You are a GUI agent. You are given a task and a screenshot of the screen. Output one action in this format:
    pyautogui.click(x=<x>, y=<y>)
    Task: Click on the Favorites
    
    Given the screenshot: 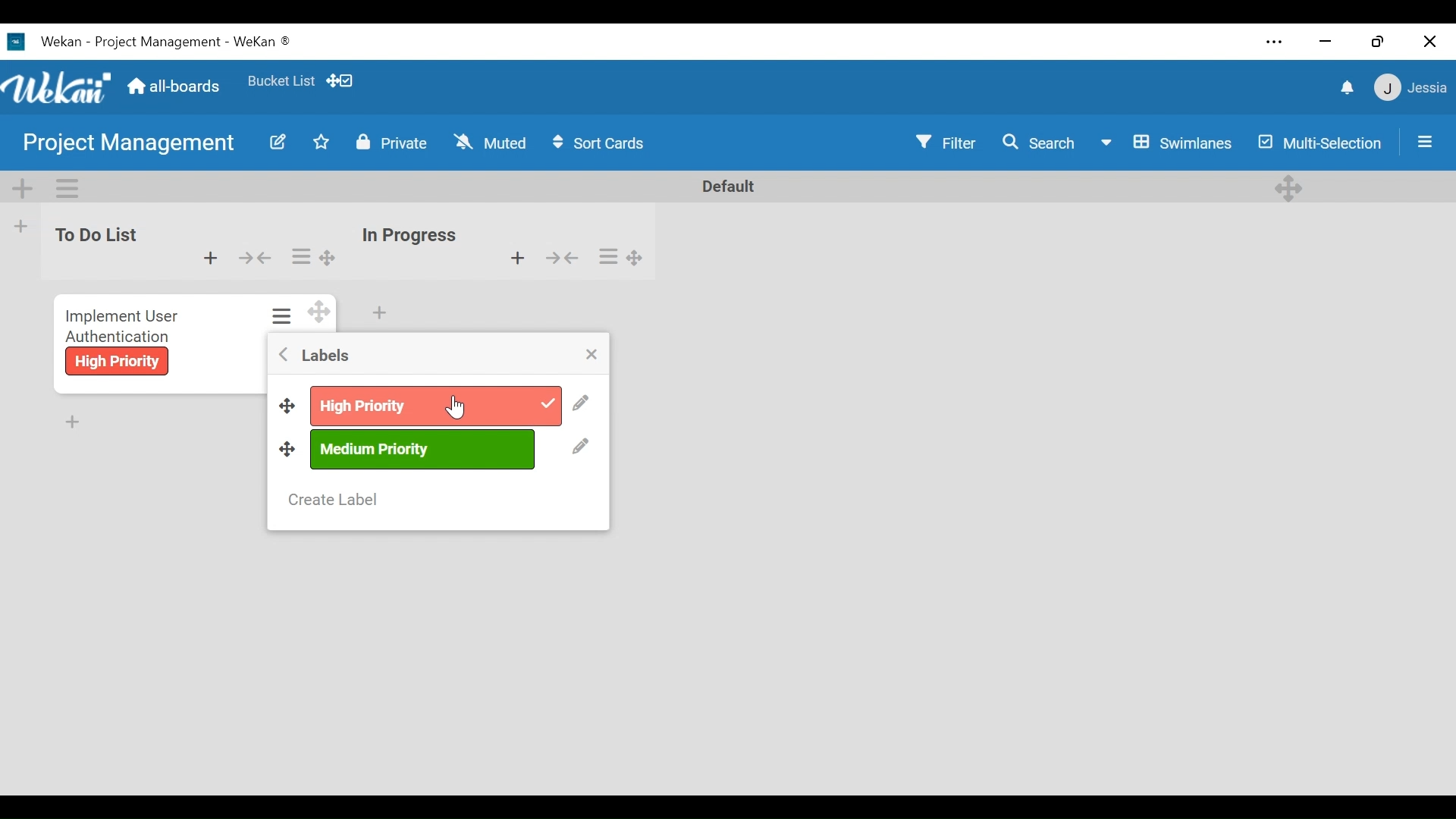 What is the action you would take?
    pyautogui.click(x=280, y=80)
    